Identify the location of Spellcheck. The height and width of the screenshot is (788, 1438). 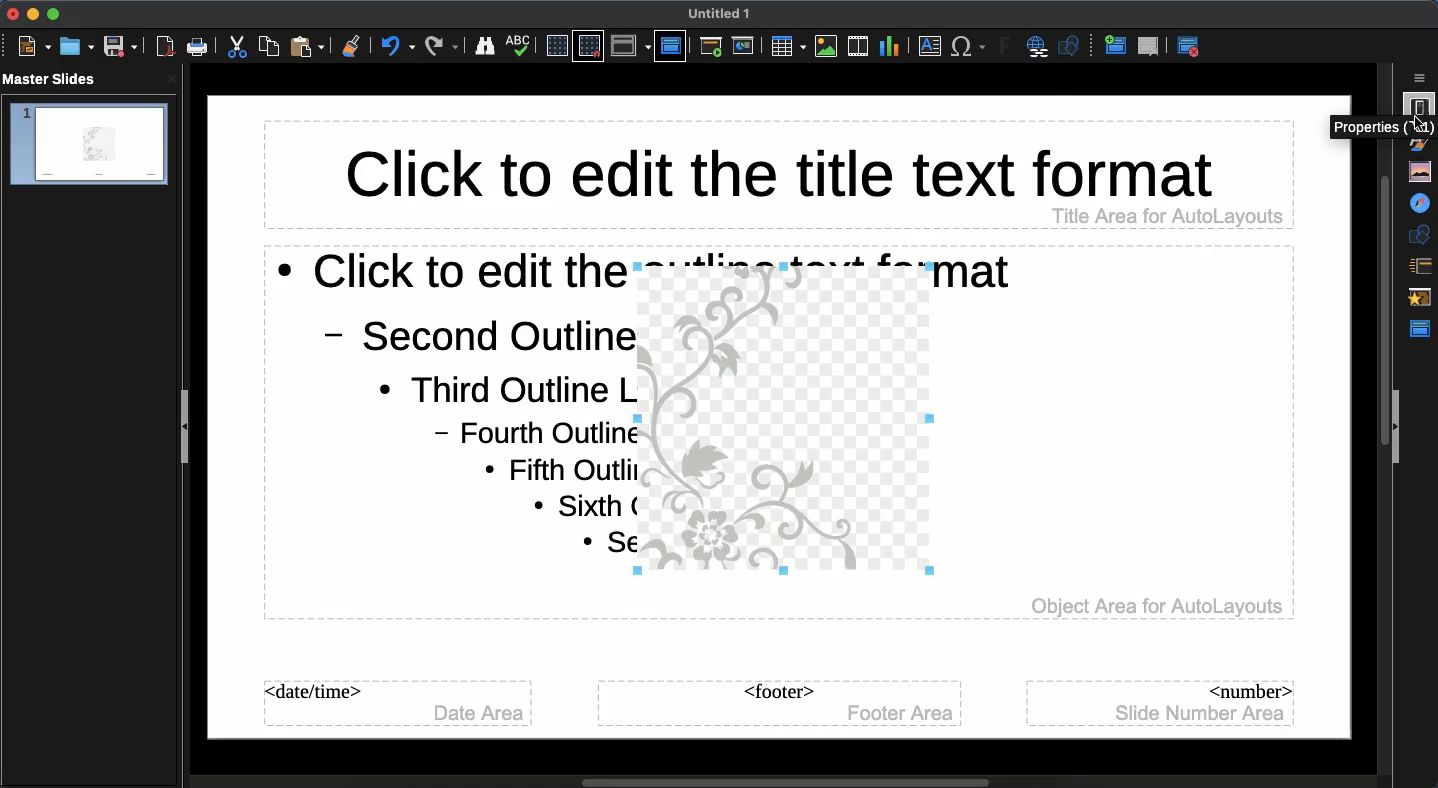
(519, 44).